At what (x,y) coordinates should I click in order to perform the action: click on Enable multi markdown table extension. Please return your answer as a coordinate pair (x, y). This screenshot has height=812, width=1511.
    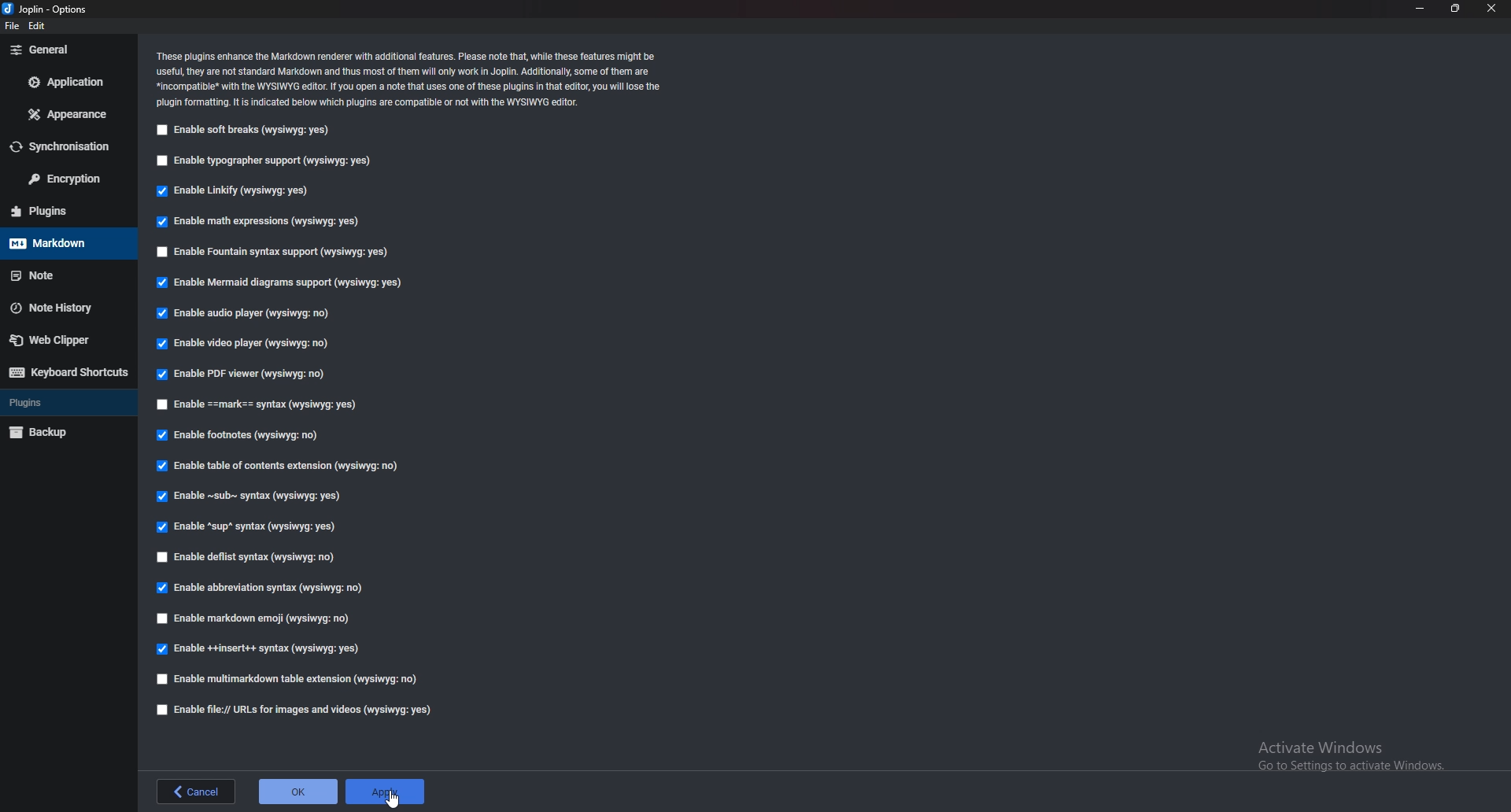
    Looking at the image, I should click on (288, 677).